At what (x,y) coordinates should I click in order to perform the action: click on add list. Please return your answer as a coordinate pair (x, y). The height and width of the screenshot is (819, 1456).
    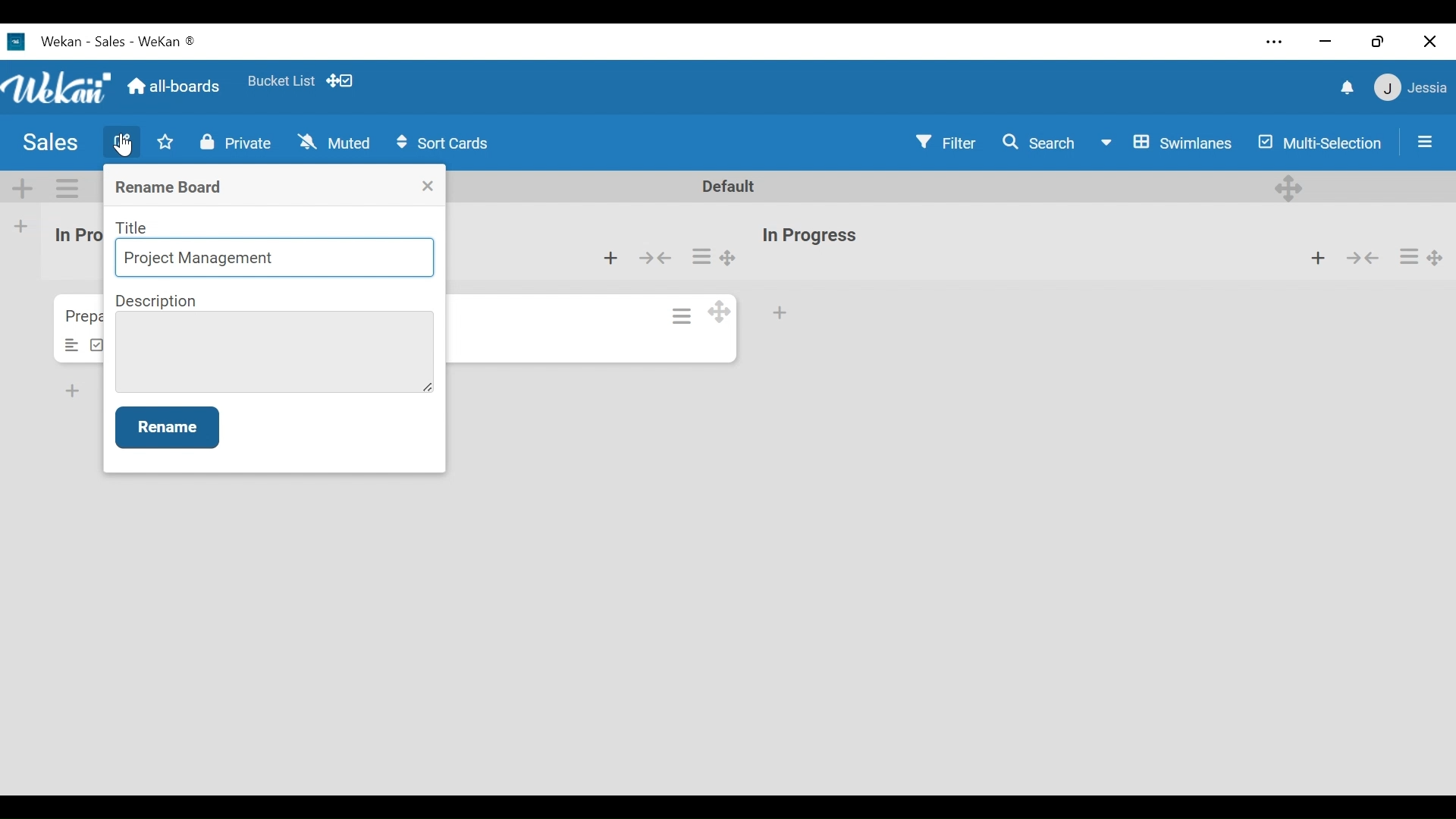
    Looking at the image, I should click on (30, 226).